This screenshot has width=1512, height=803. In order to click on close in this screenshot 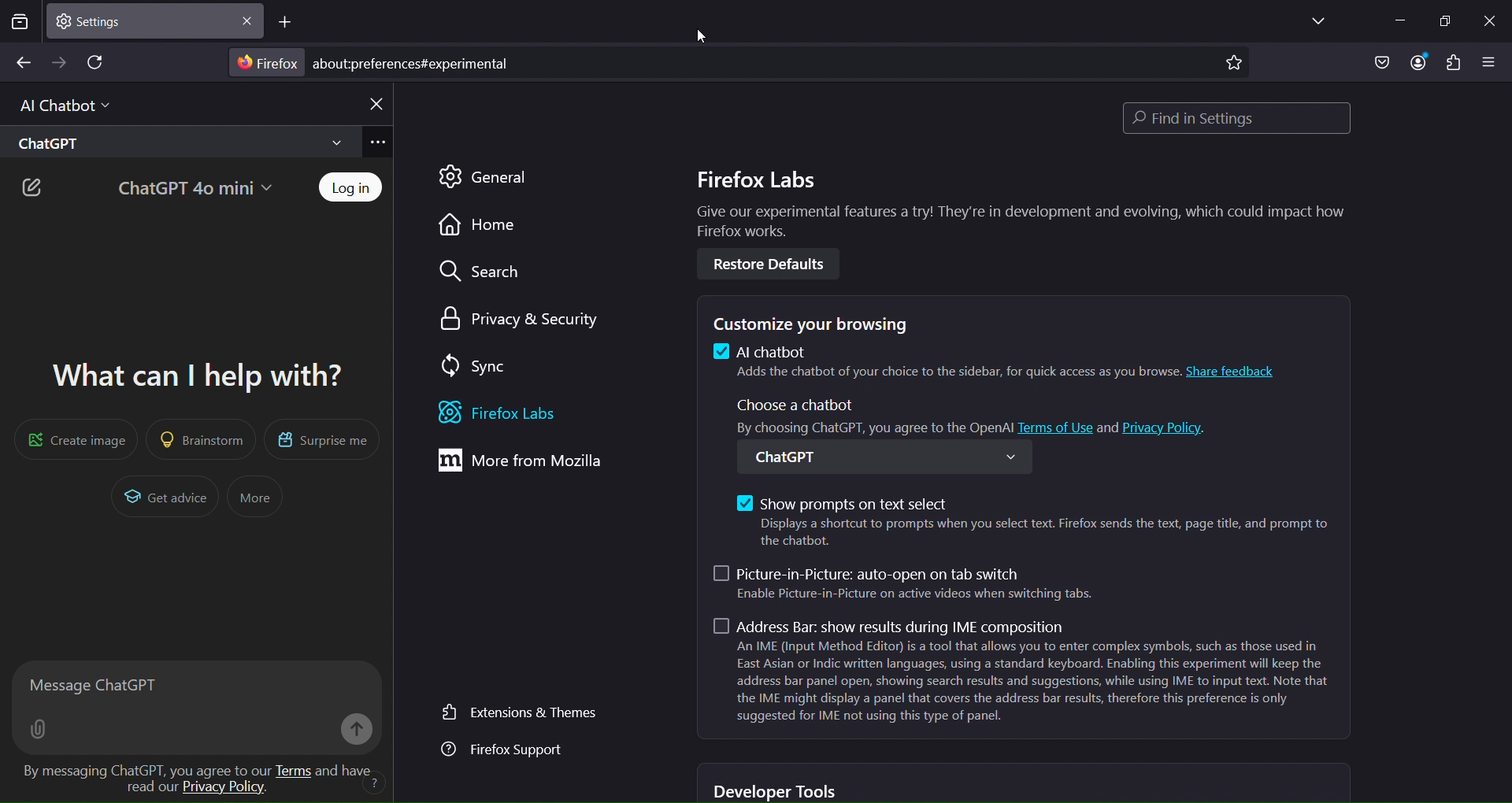, I will do `click(375, 104)`.